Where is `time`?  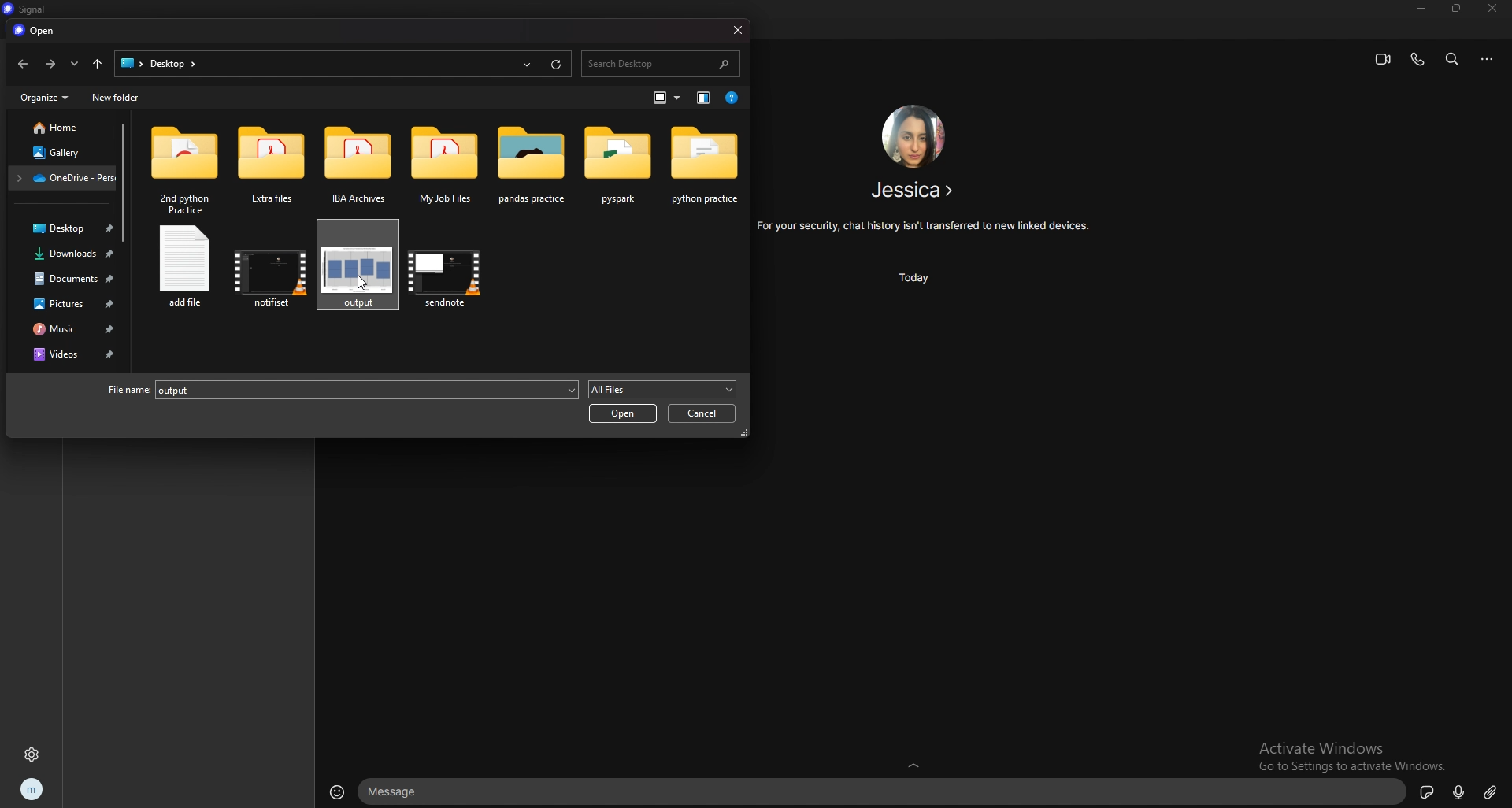
time is located at coordinates (913, 278).